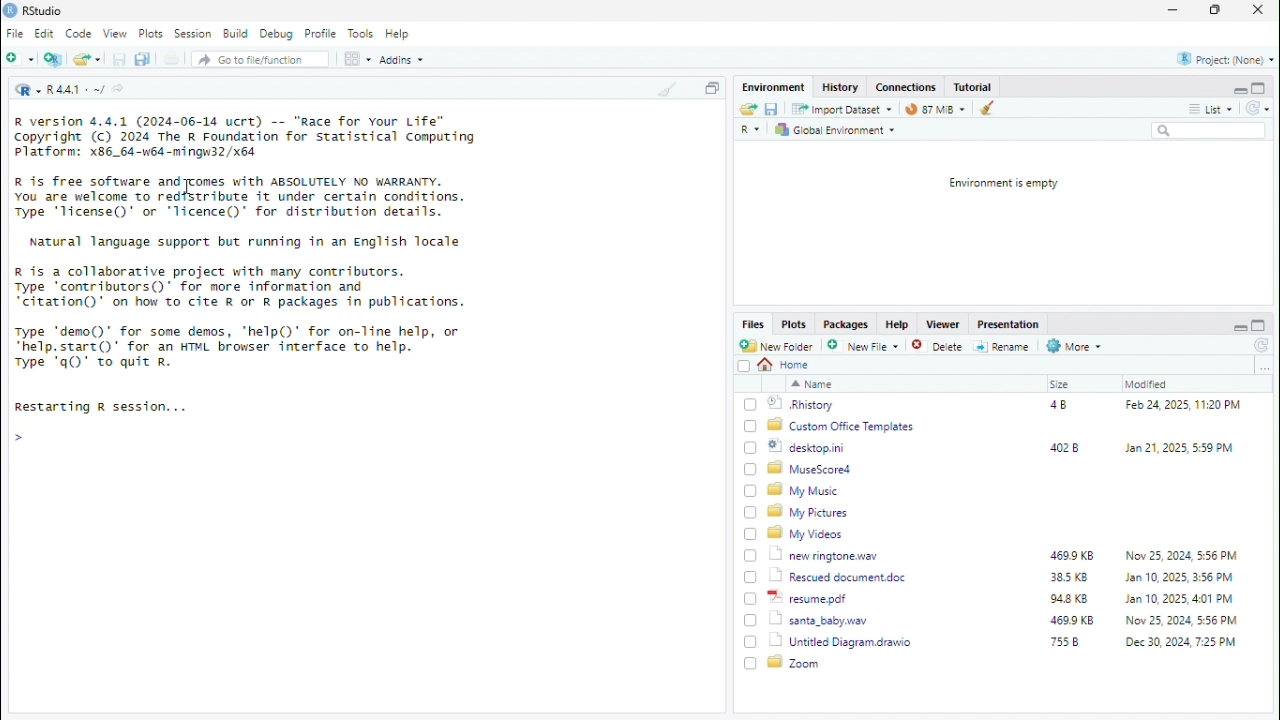 This screenshot has width=1280, height=720. What do you see at coordinates (843, 426) in the screenshot?
I see `Custom Office Templates` at bounding box center [843, 426].